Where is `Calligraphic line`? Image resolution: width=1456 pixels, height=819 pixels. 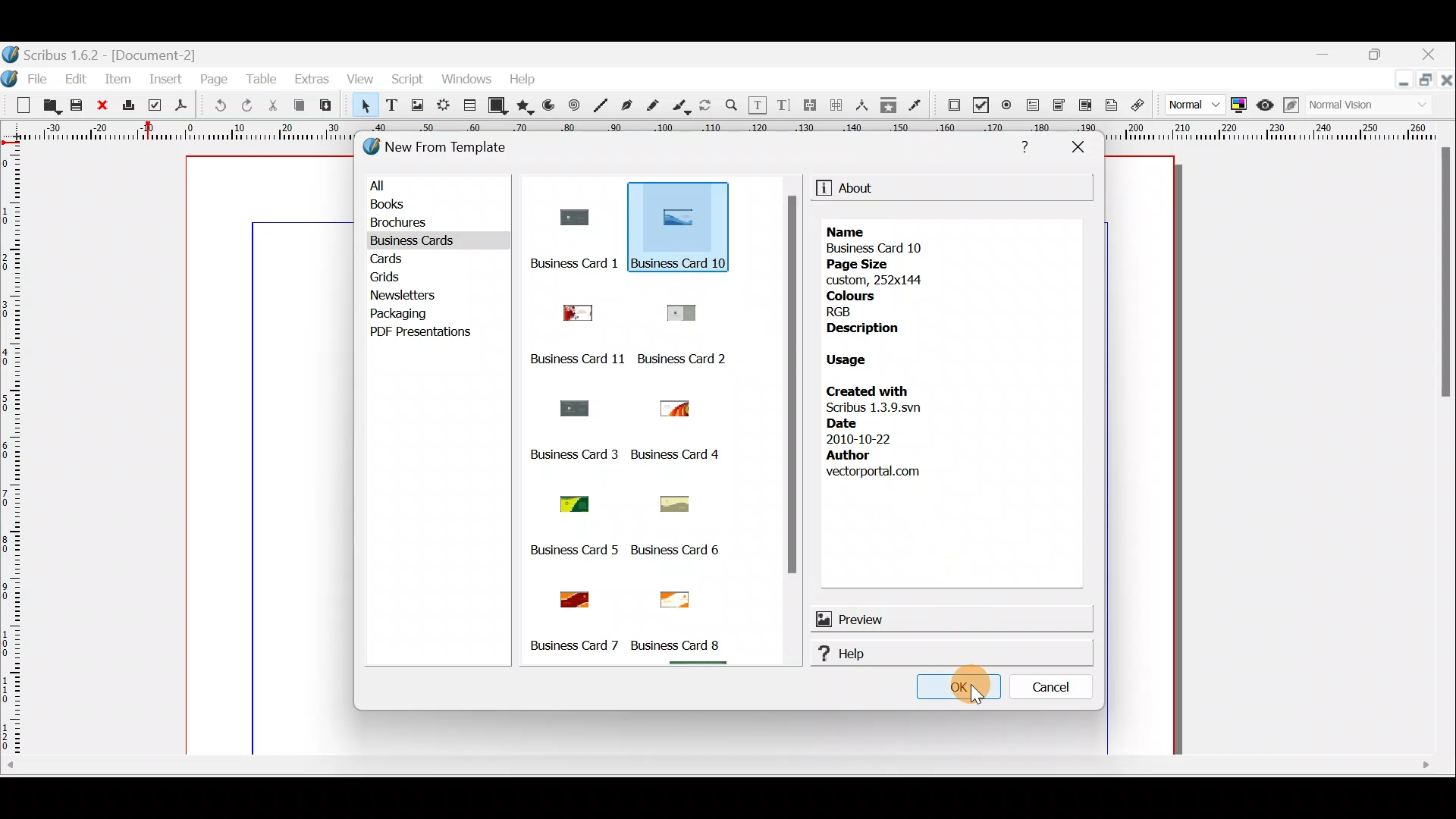
Calligraphic line is located at coordinates (683, 107).